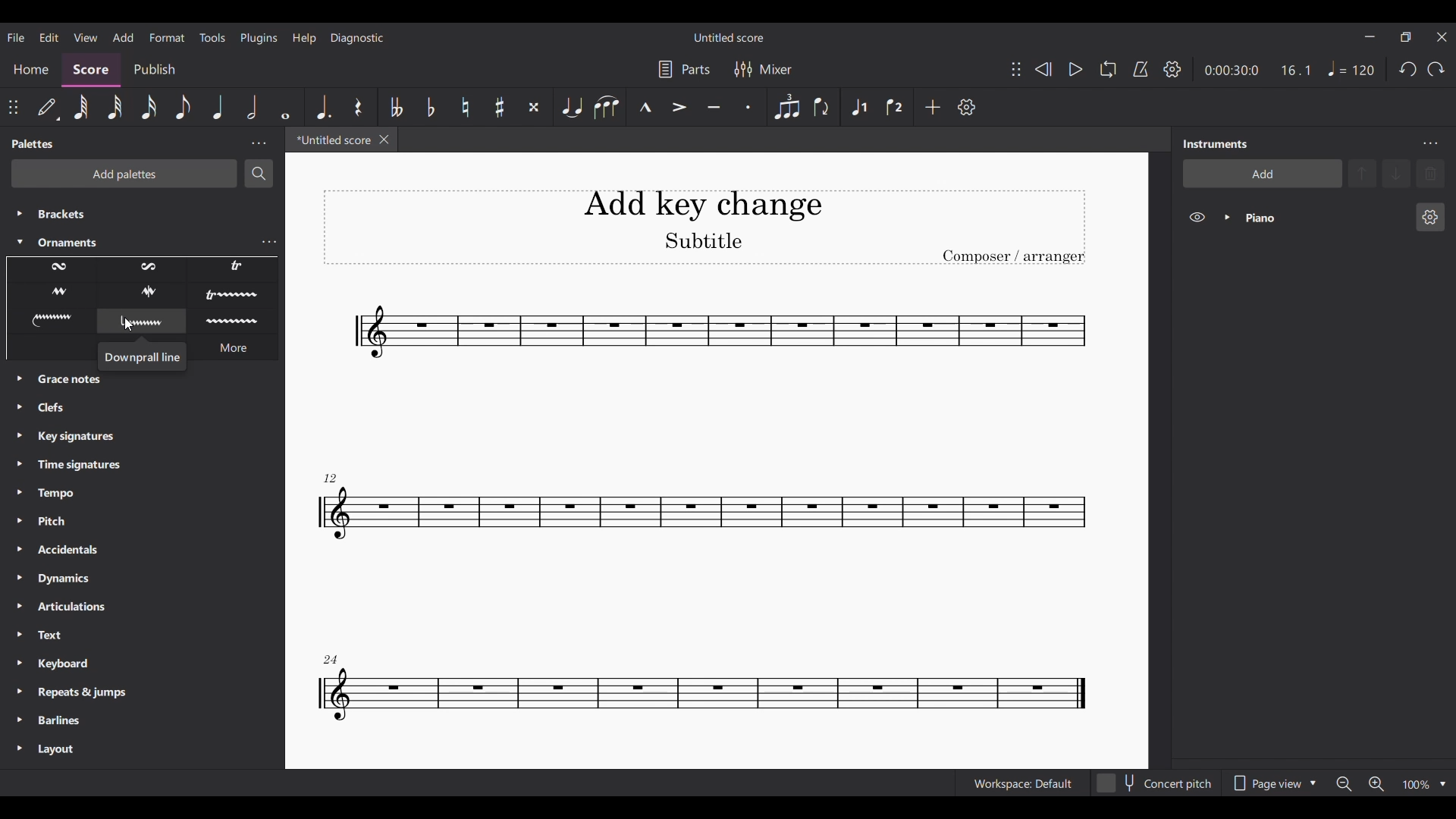 This screenshot has width=1456, height=819. What do you see at coordinates (858, 106) in the screenshot?
I see `Voice 1` at bounding box center [858, 106].